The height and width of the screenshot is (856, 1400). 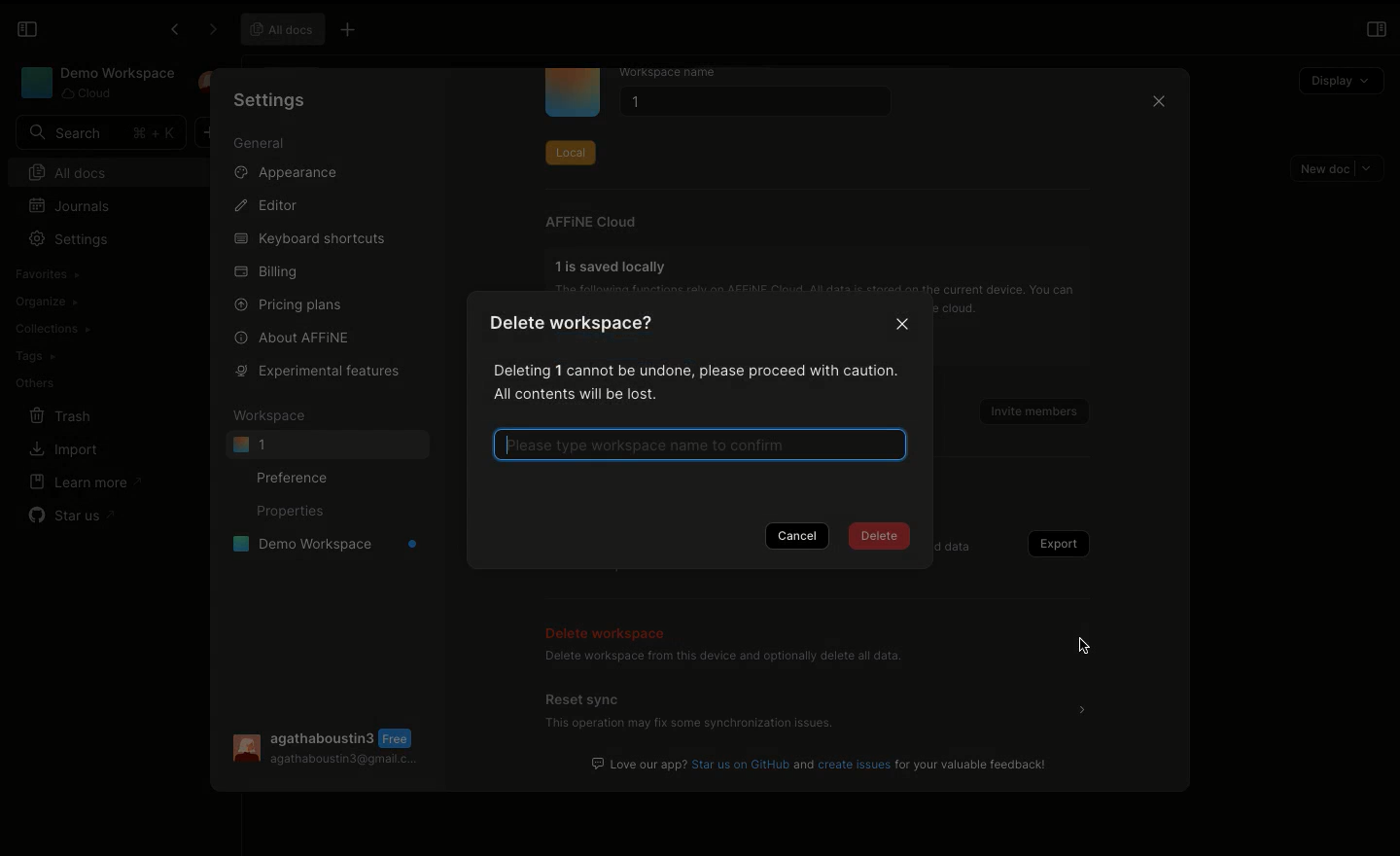 What do you see at coordinates (614, 266) in the screenshot?
I see `1 is saved locally` at bounding box center [614, 266].